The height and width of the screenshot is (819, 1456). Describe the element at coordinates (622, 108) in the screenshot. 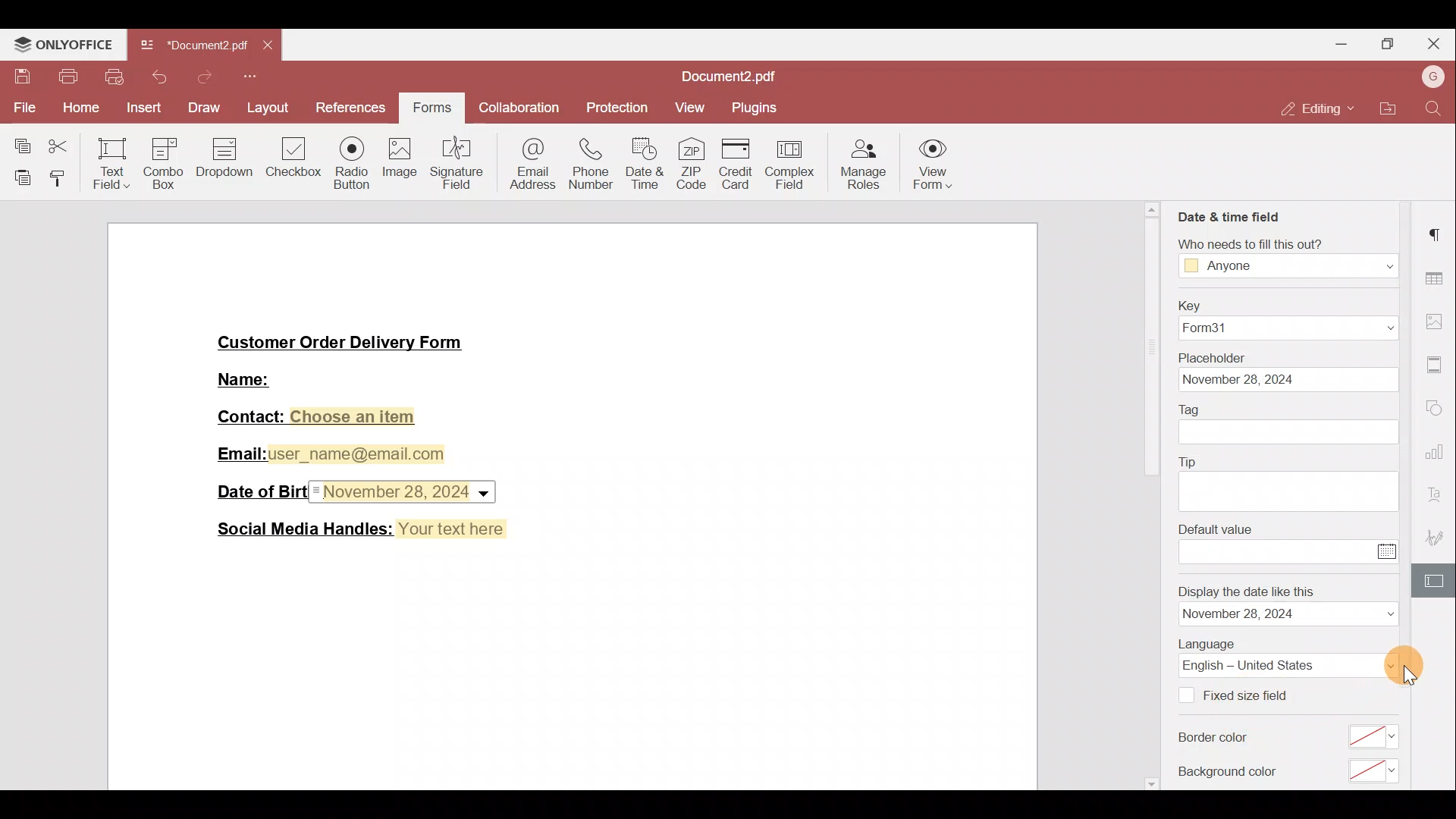

I see `Protection` at that location.